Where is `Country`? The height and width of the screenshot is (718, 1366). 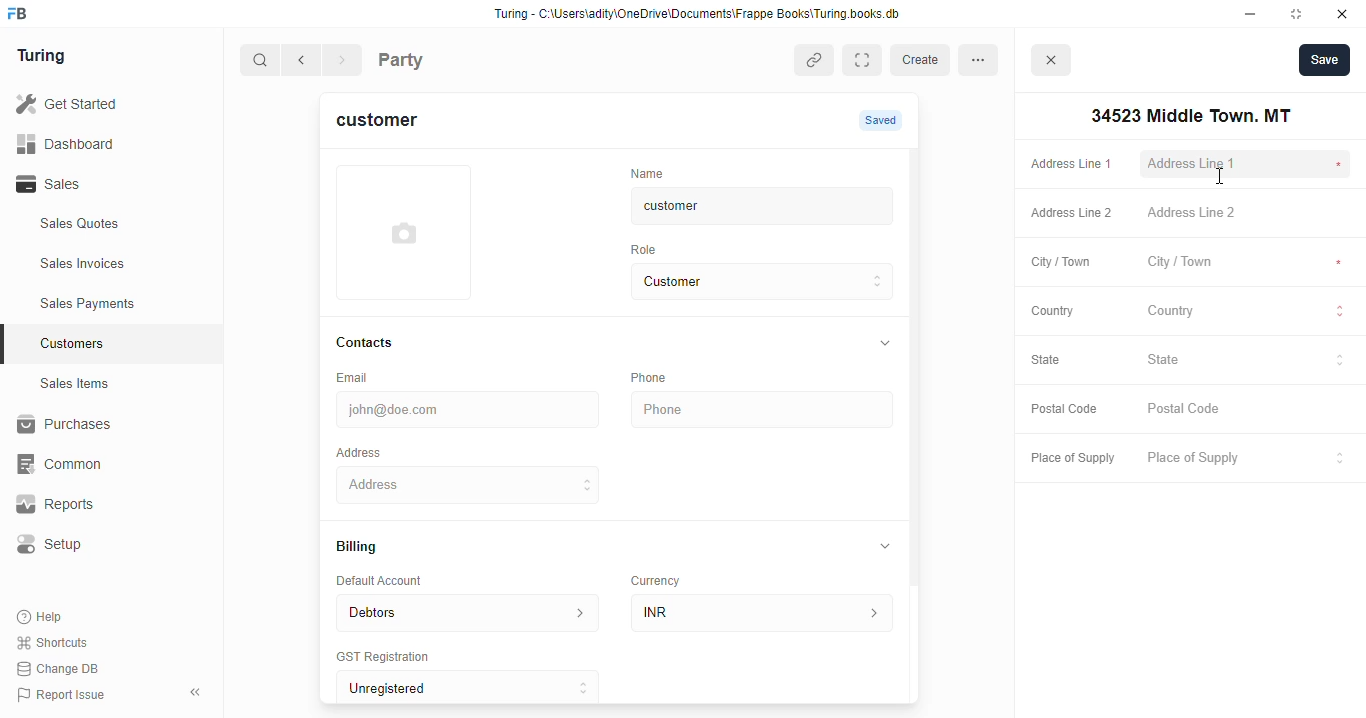 Country is located at coordinates (1248, 313).